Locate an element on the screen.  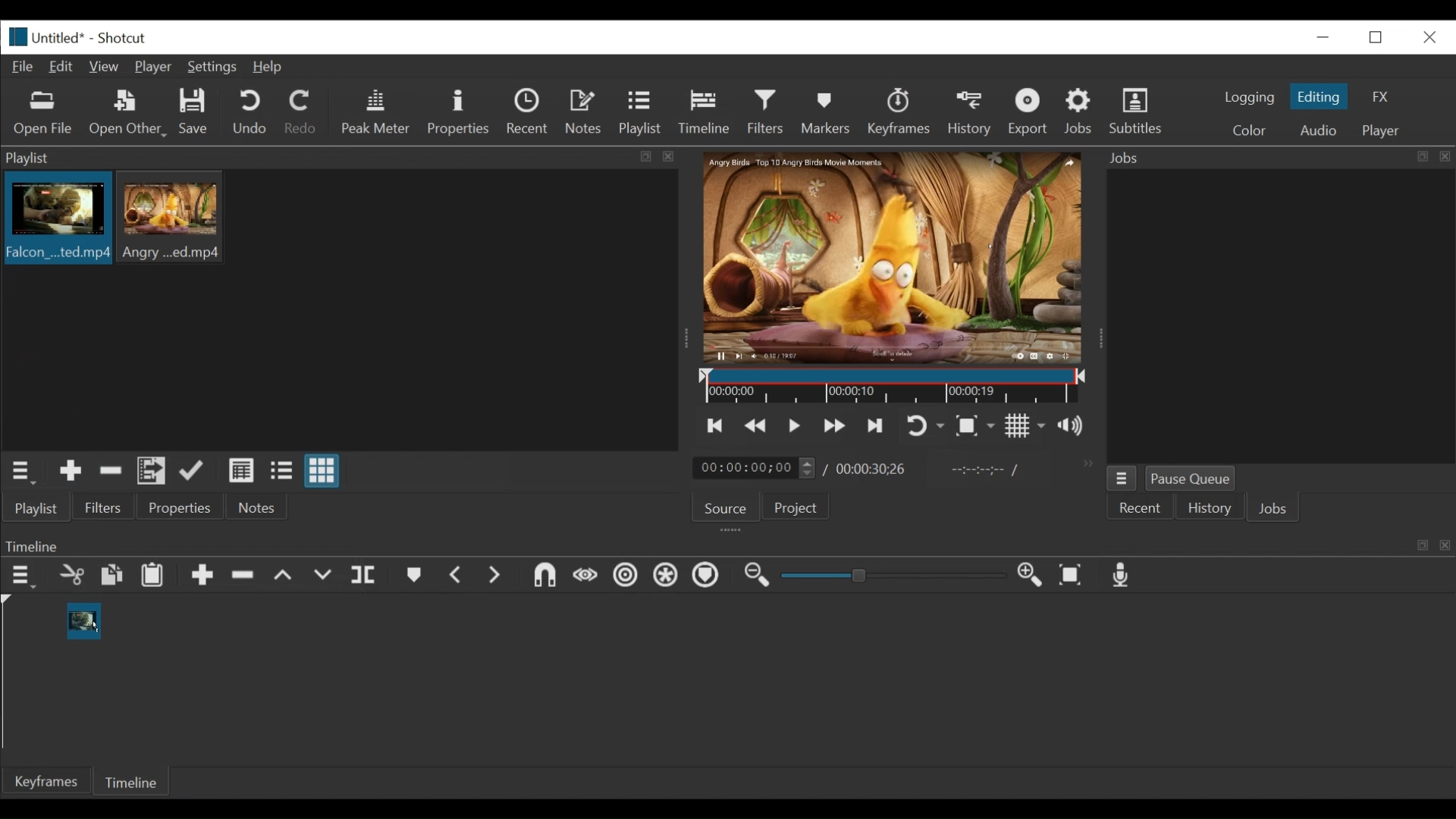
Remove cut is located at coordinates (245, 578).